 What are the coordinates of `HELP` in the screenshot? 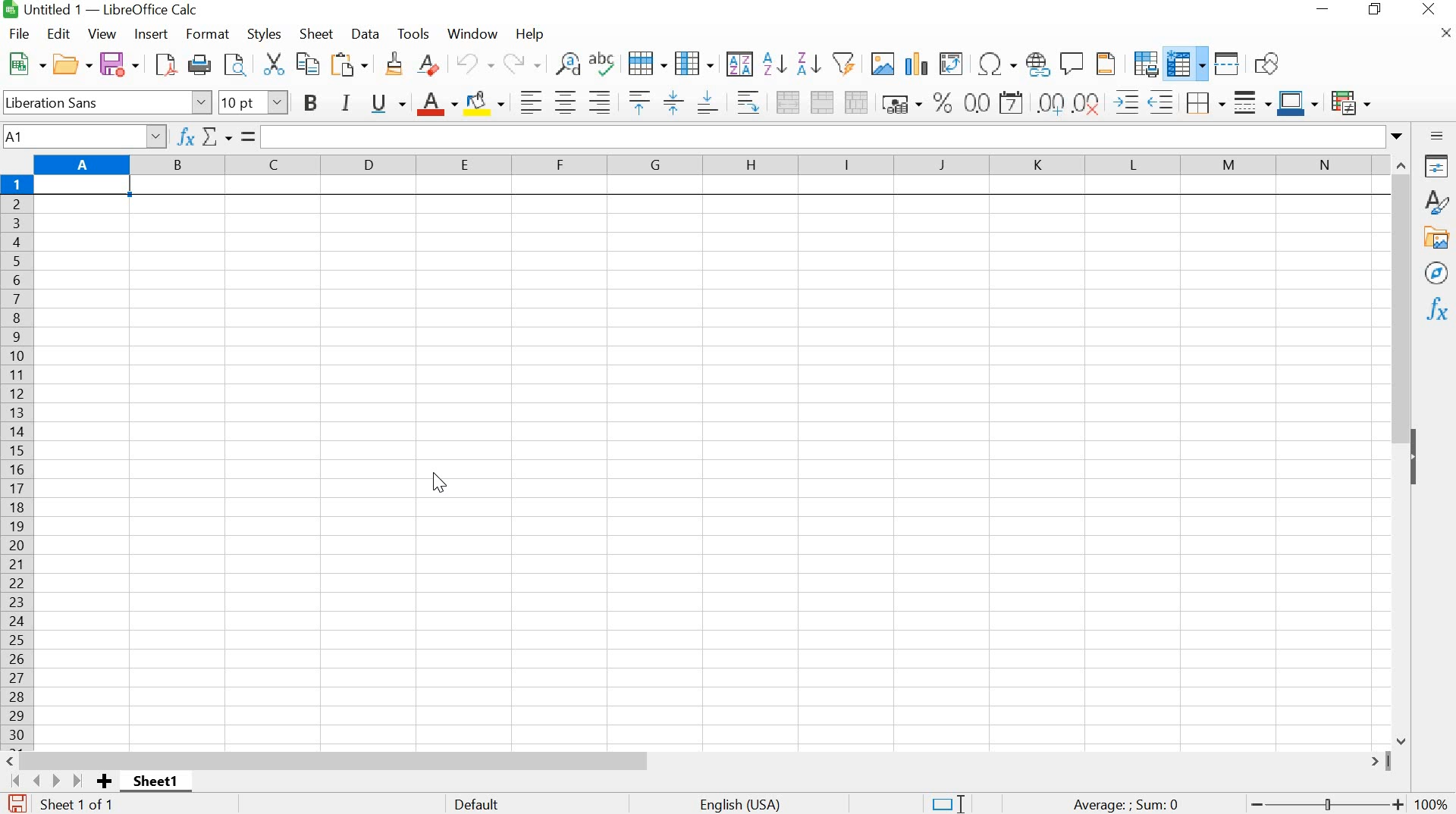 It's located at (529, 36).